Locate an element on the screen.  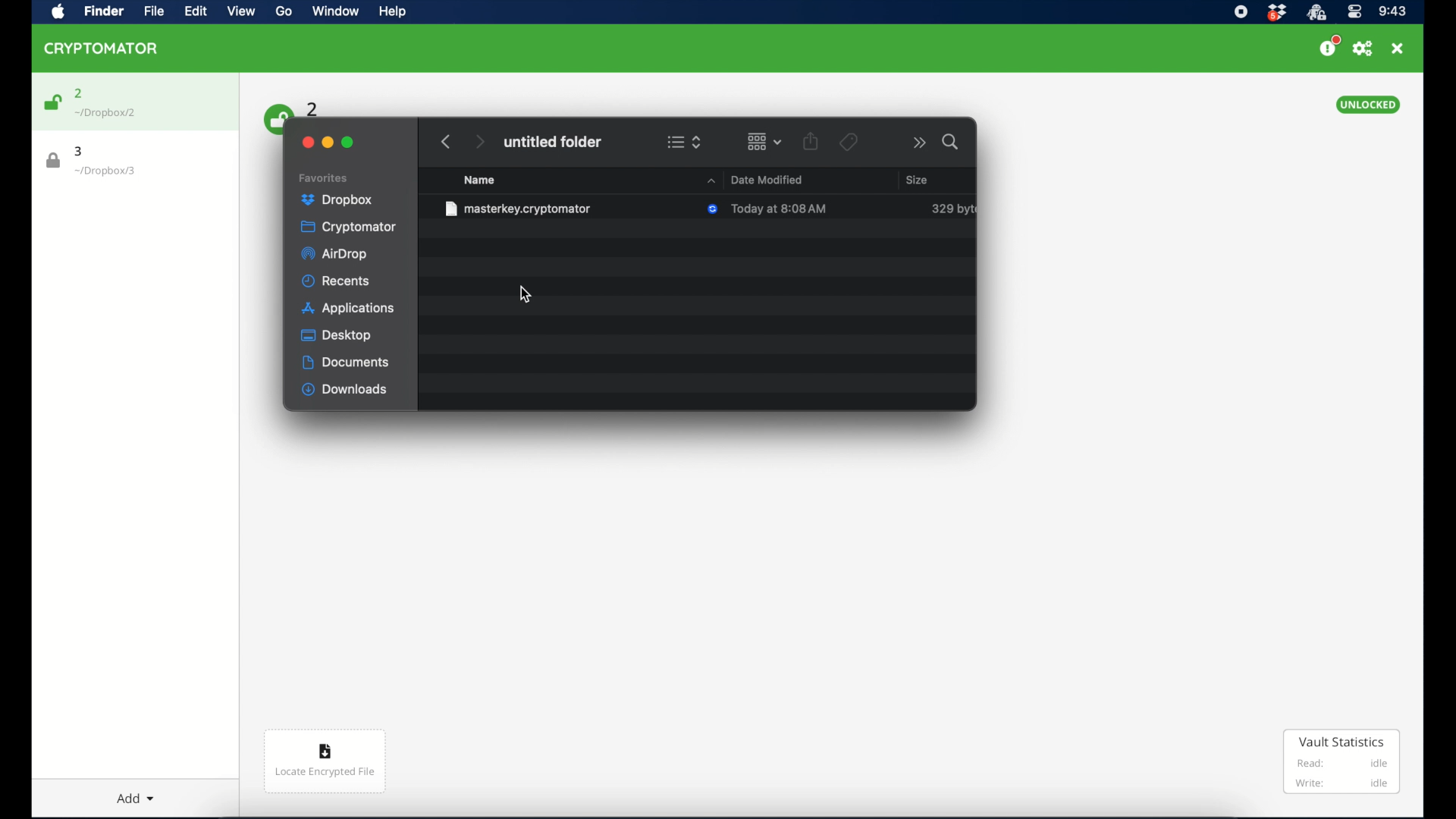
cryptomator icon is located at coordinates (1316, 13).